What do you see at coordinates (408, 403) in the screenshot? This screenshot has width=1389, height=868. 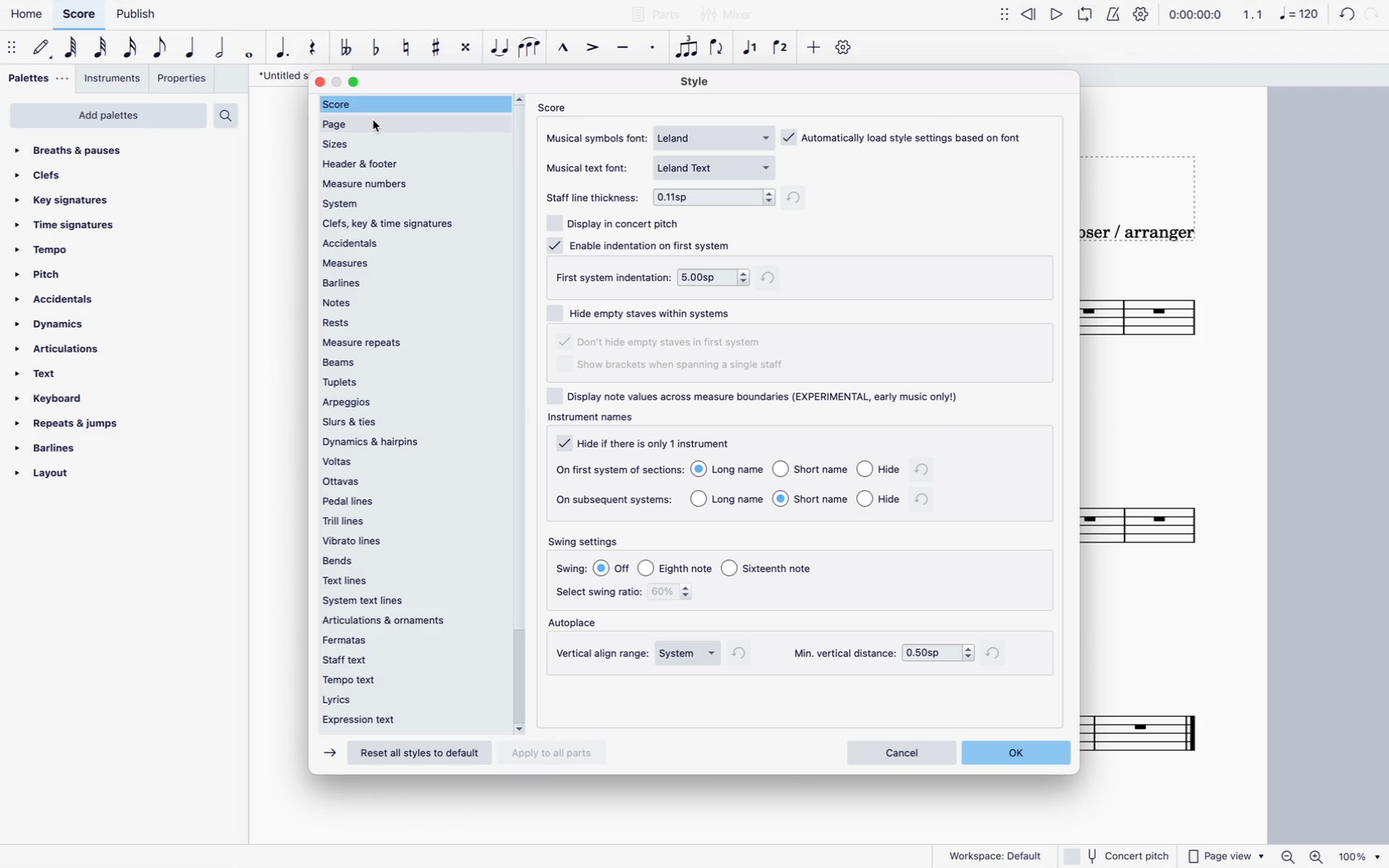 I see `arpeggios` at bounding box center [408, 403].